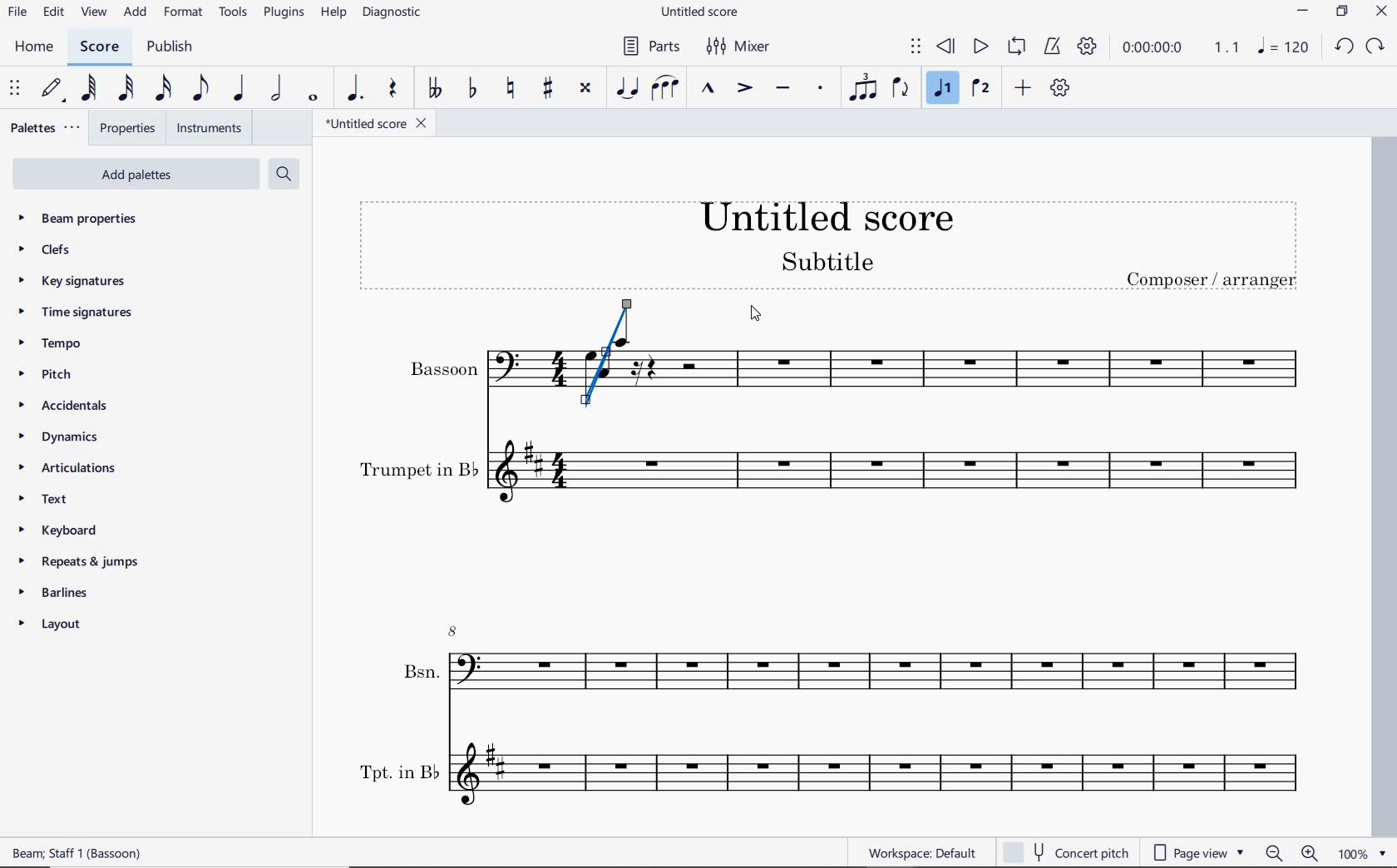  Describe the element at coordinates (61, 435) in the screenshot. I see `dynamics` at that location.